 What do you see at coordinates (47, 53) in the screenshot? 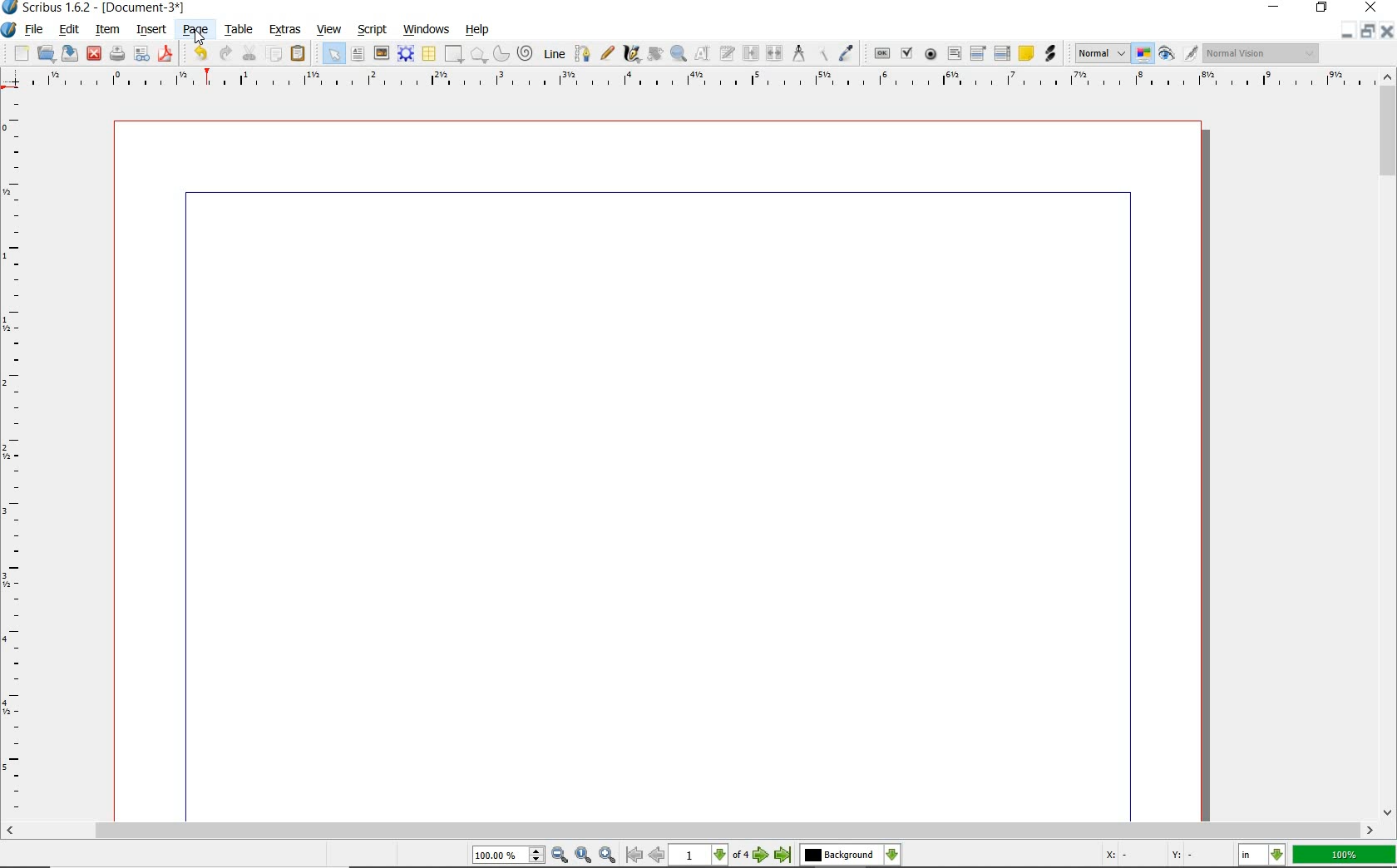
I see `open` at bounding box center [47, 53].